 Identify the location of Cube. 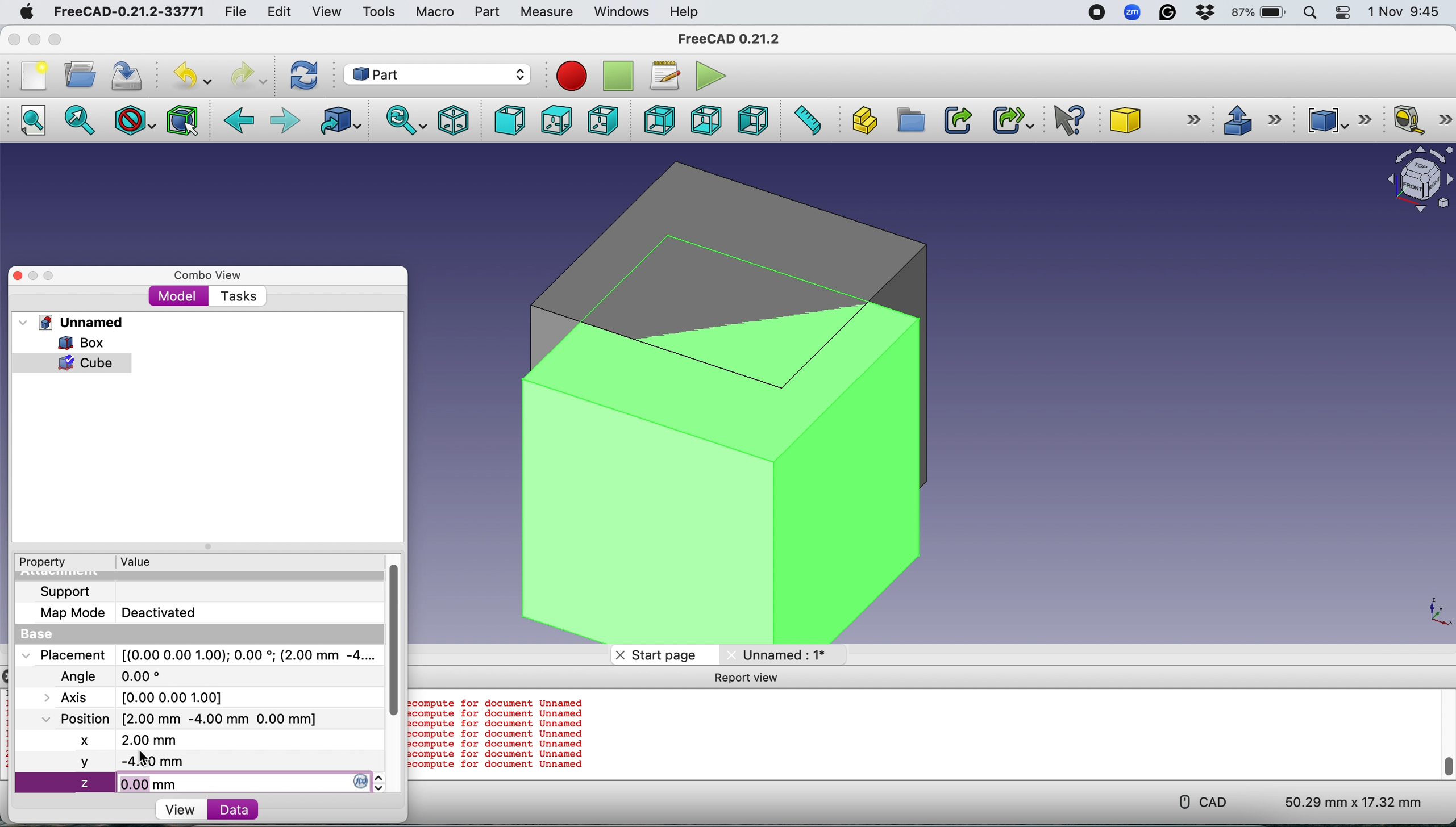
(1151, 120).